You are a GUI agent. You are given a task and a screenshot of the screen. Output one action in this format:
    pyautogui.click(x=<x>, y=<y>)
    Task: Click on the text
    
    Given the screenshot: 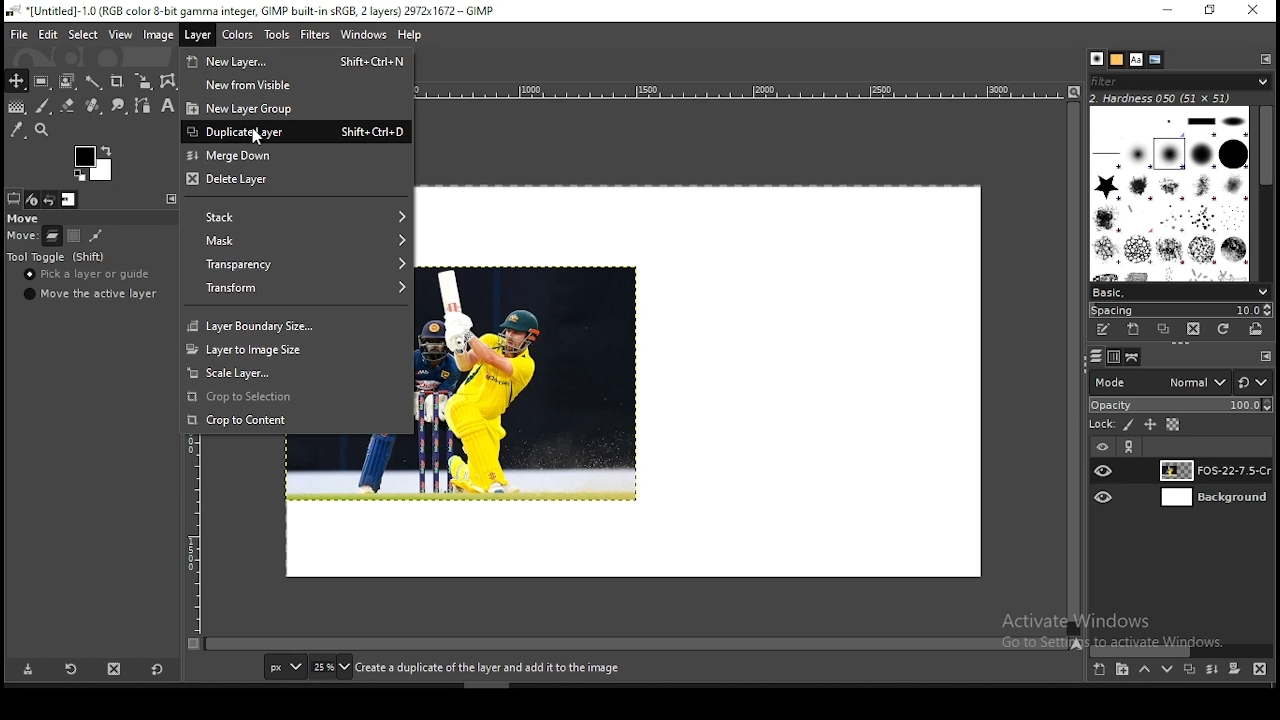 What is the action you would take?
    pyautogui.click(x=1162, y=97)
    